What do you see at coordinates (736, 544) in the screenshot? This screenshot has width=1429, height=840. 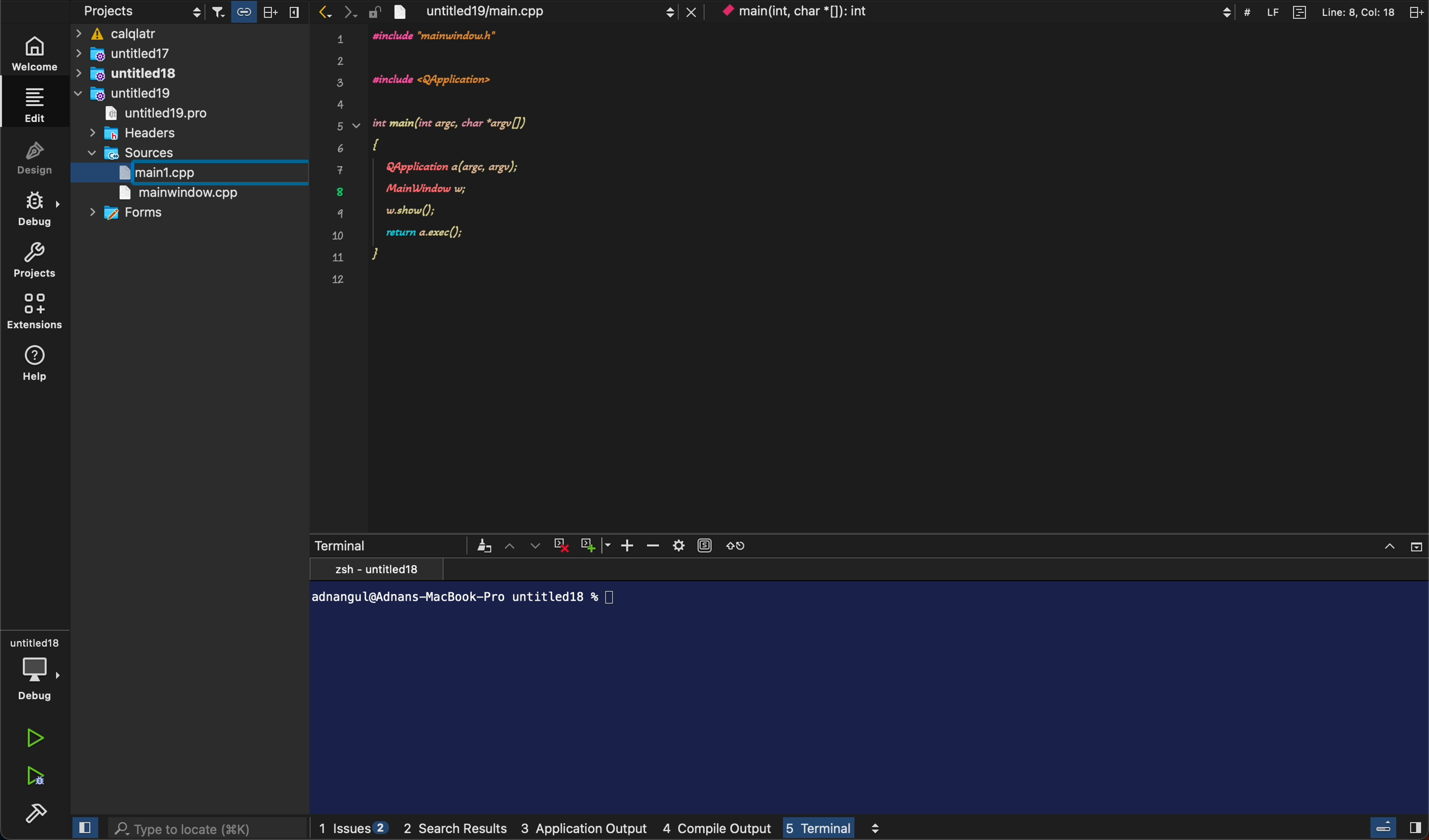 I see `Refresh` at bounding box center [736, 544].